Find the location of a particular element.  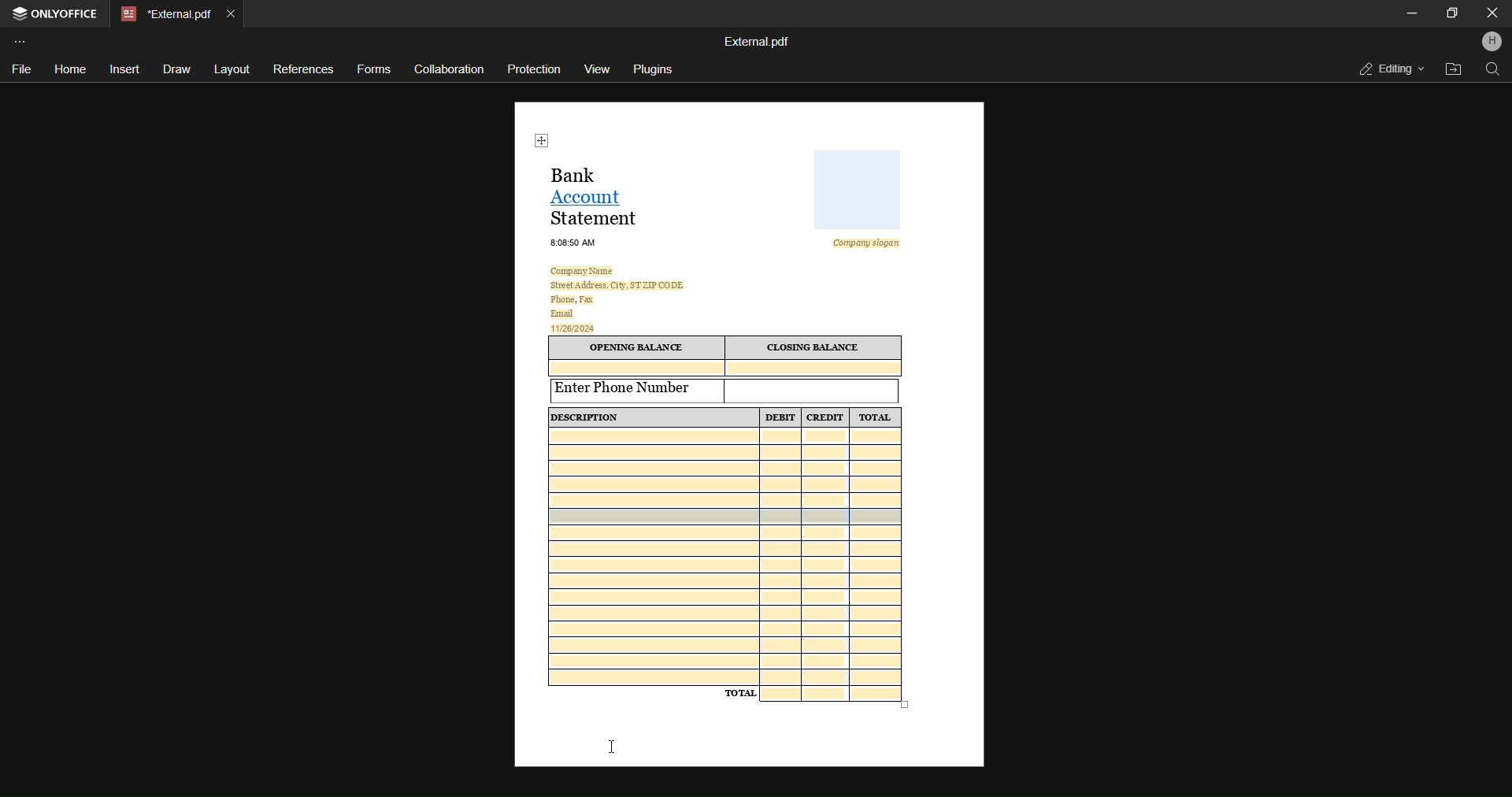

Debit is located at coordinates (781, 418).